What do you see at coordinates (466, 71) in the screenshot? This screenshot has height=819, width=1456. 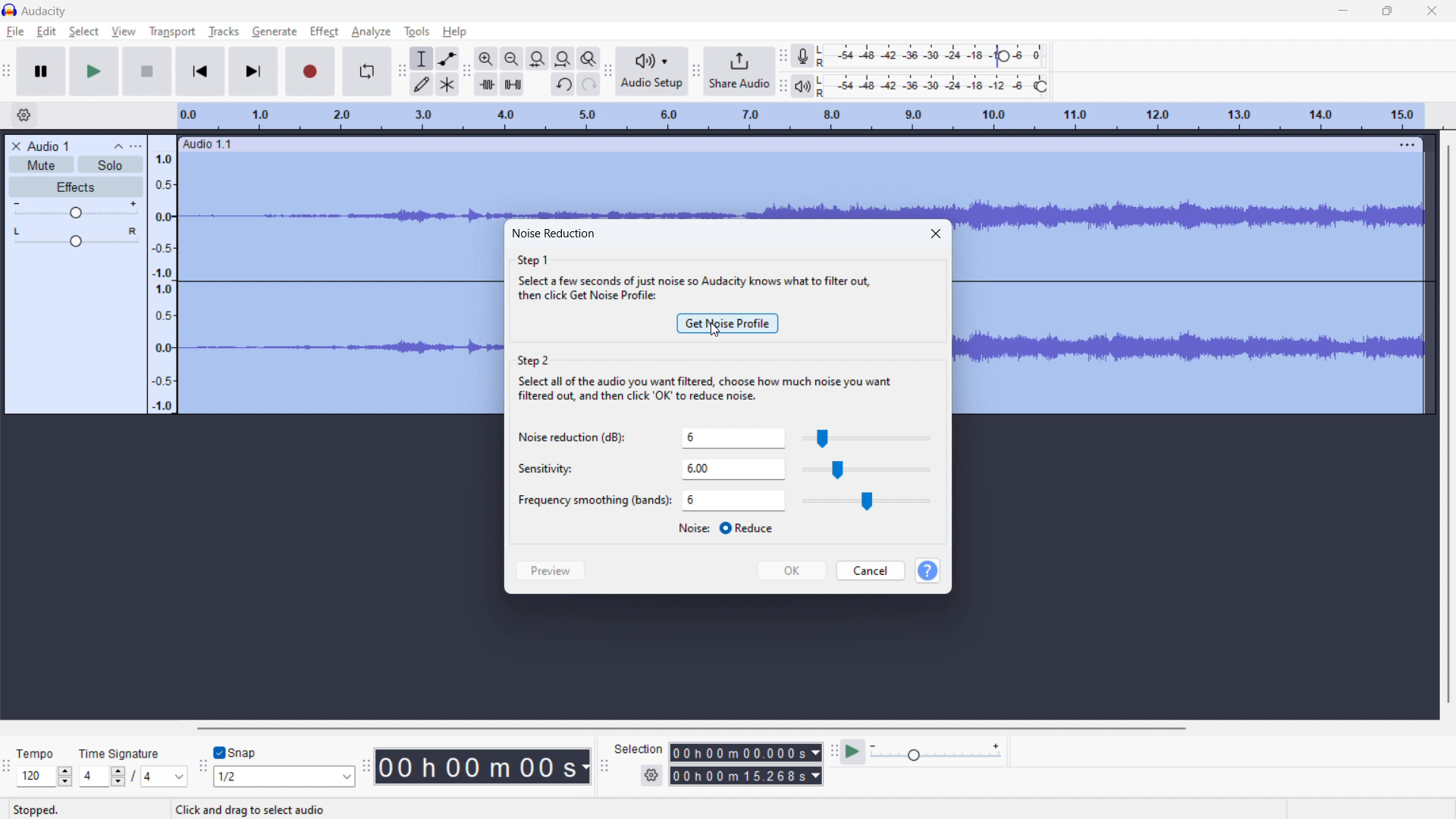 I see `edit toolbar` at bounding box center [466, 71].